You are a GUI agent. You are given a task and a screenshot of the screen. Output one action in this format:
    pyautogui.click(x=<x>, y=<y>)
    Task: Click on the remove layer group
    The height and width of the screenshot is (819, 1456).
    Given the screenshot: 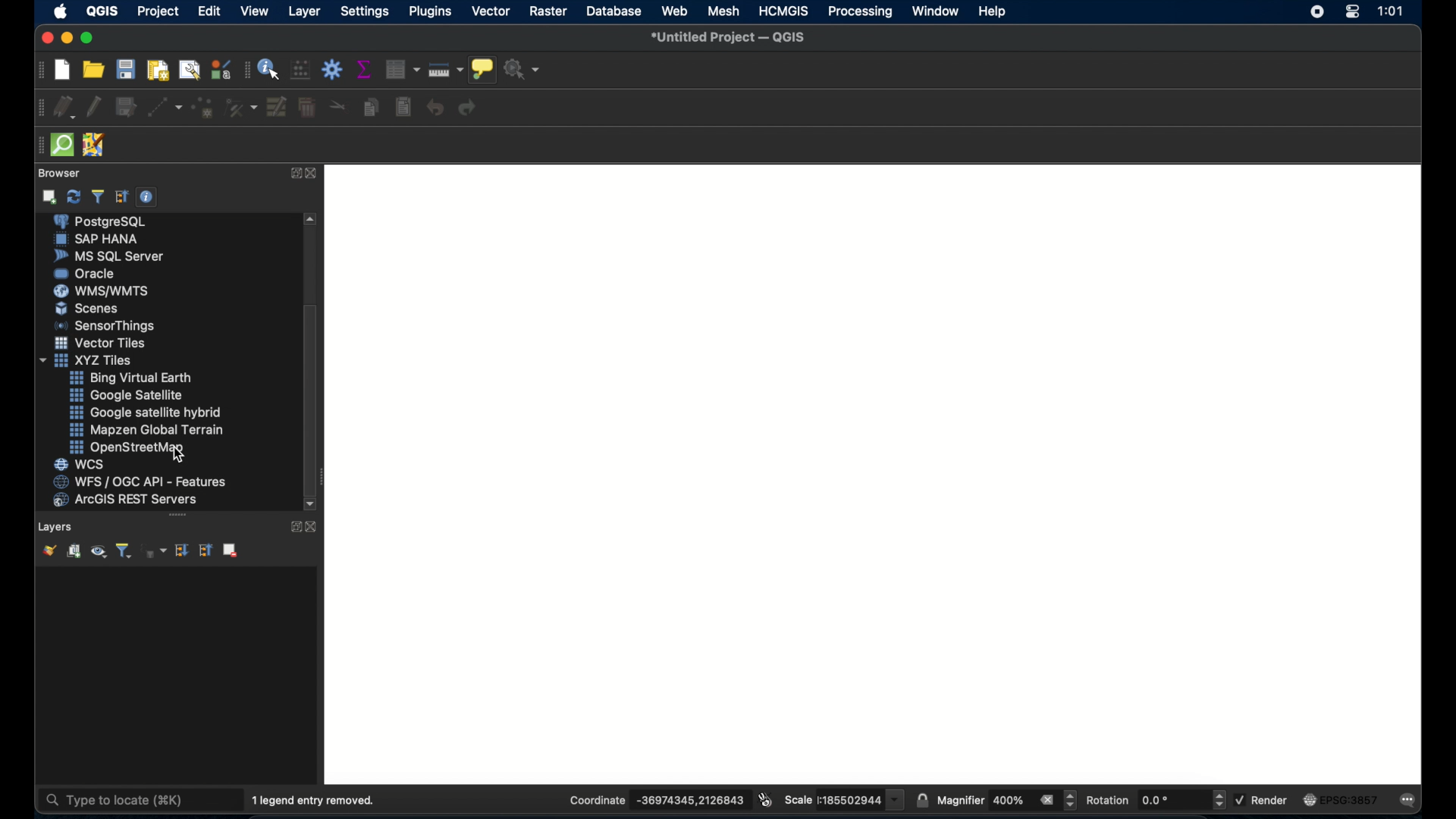 What is the action you would take?
    pyautogui.click(x=233, y=551)
    